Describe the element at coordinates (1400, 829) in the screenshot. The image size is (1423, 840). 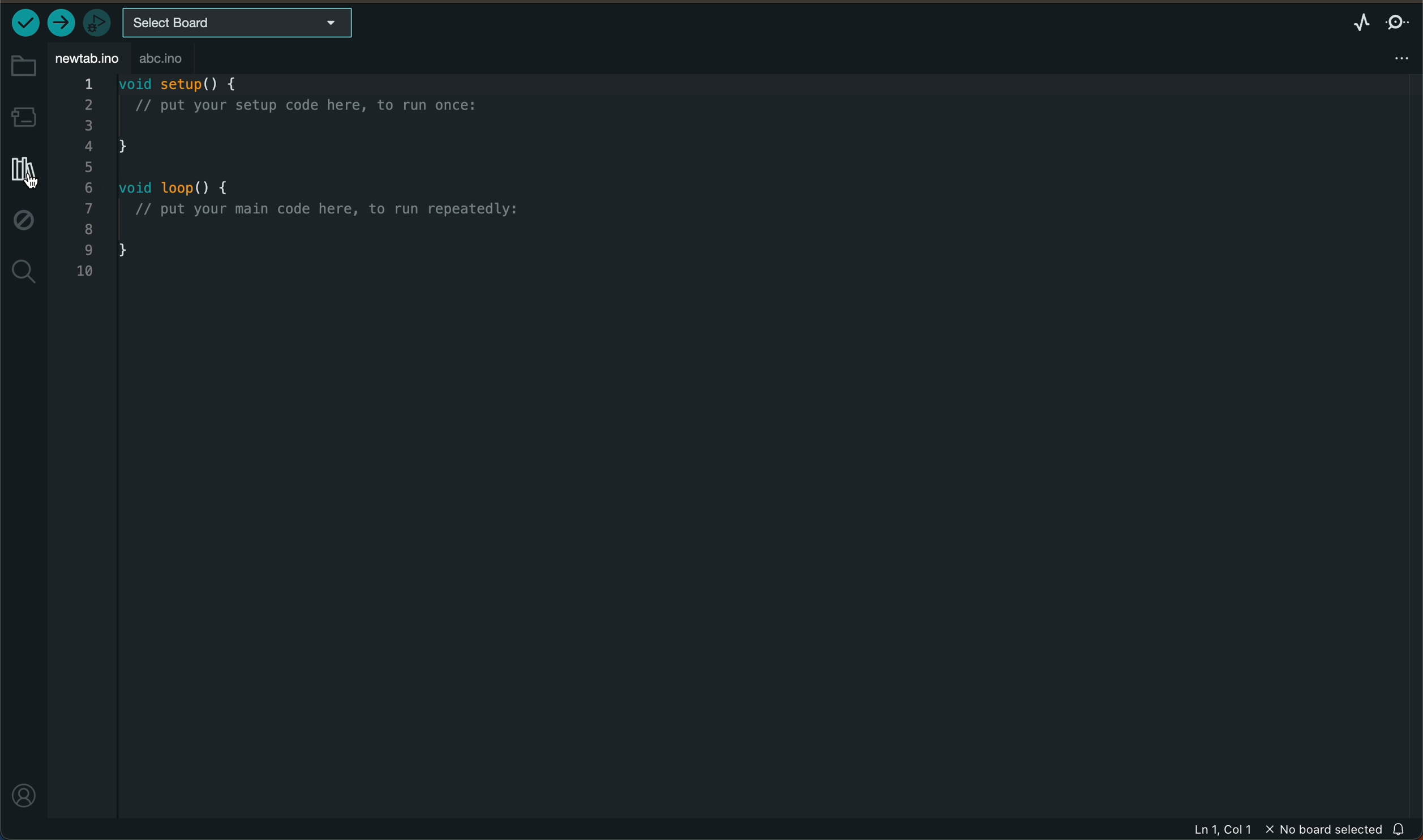
I see `notification` at that location.